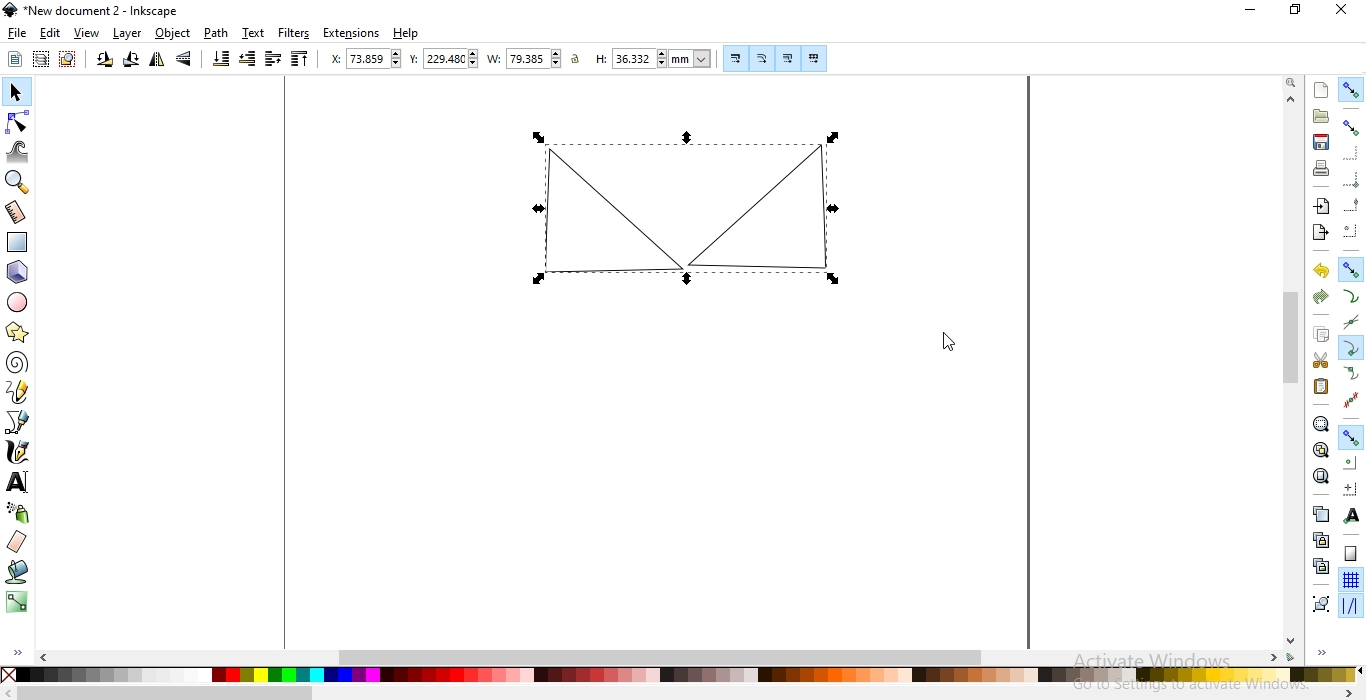 The height and width of the screenshot is (700, 1366). Describe the element at coordinates (1352, 177) in the screenshot. I see `snap bounding box corners` at that location.